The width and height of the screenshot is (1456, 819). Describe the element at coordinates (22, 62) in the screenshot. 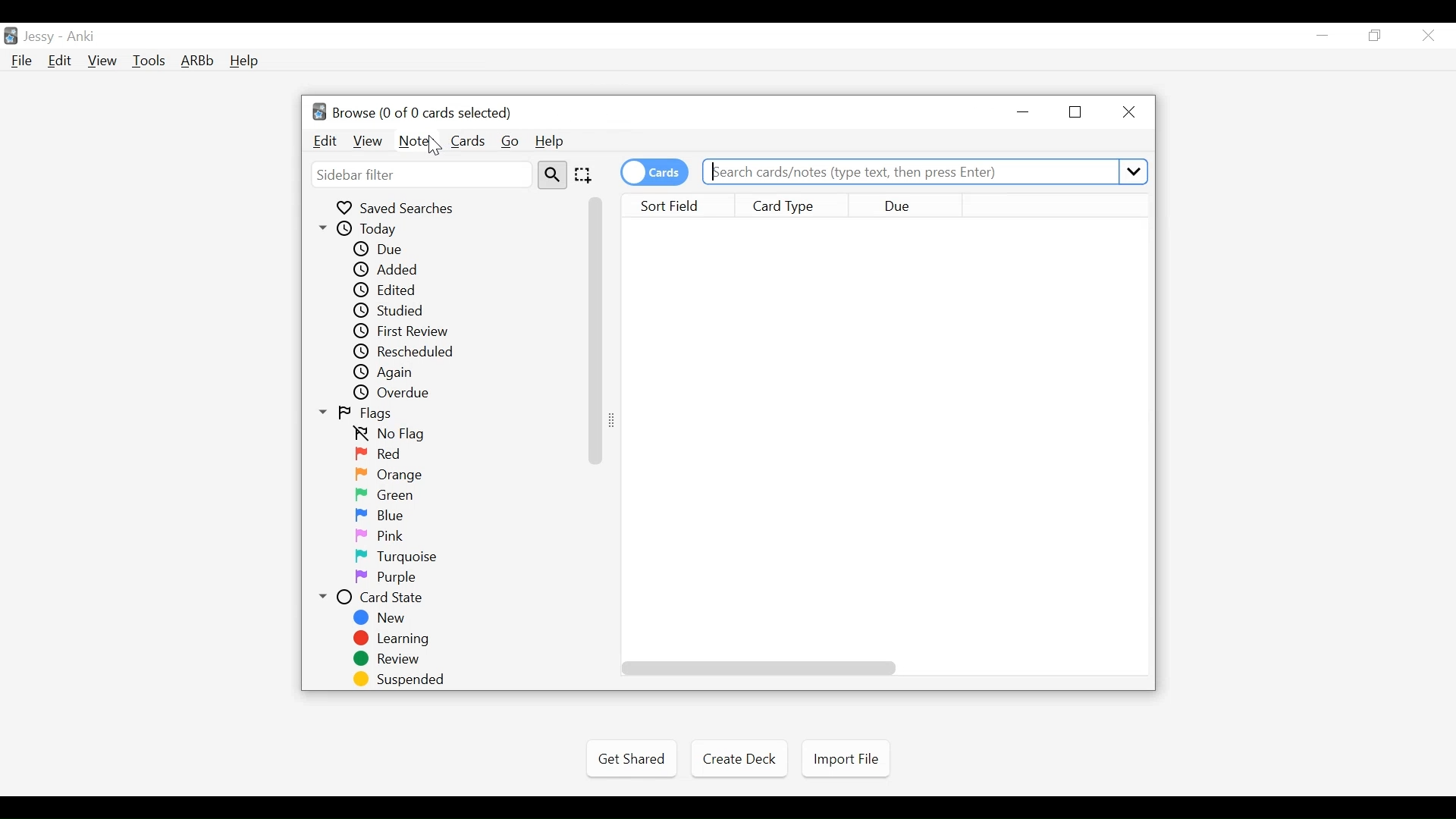

I see `File` at that location.